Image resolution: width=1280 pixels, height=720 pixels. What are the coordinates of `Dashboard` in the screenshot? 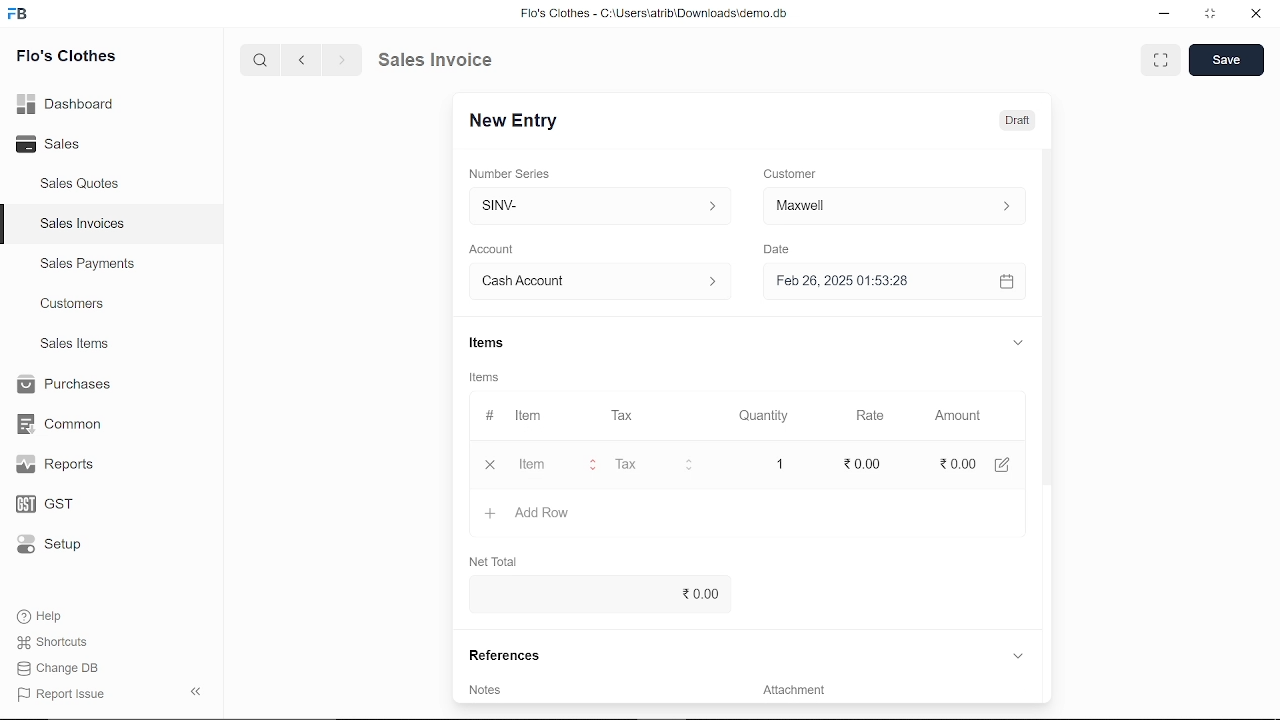 It's located at (70, 103).